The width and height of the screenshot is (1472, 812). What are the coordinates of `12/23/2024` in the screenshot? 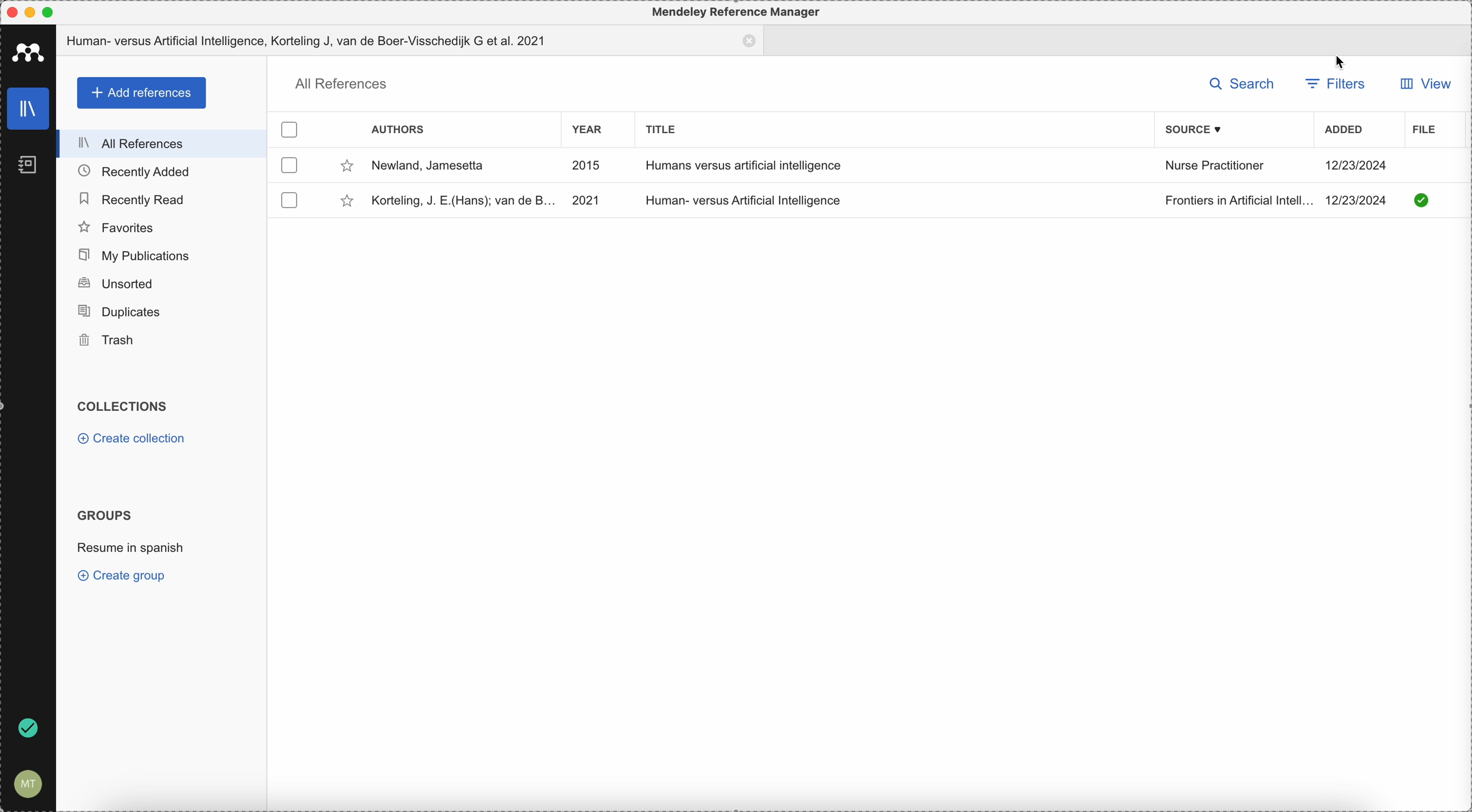 It's located at (1355, 167).